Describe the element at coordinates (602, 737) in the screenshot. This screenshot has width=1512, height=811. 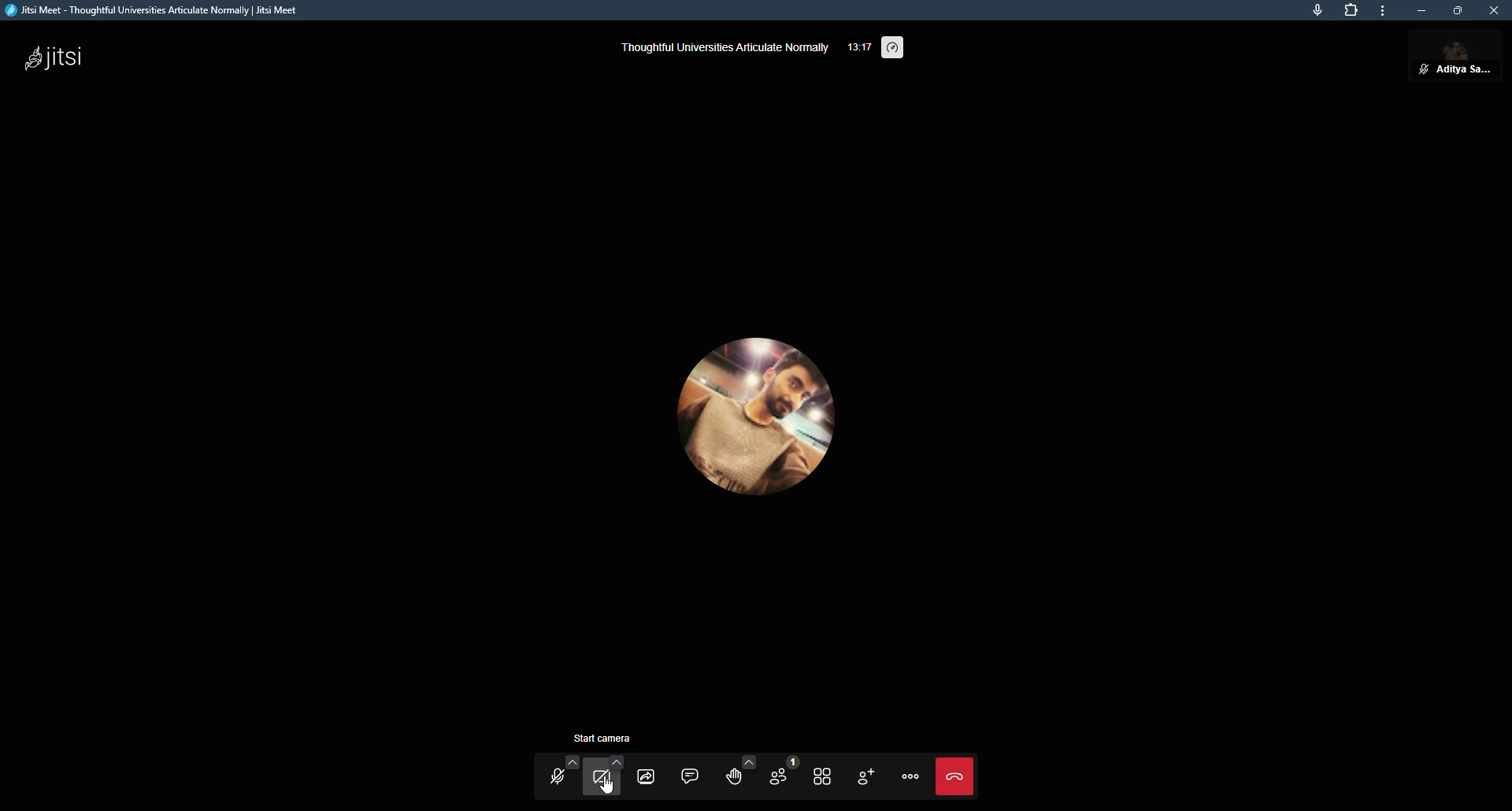
I see `start camera` at that location.